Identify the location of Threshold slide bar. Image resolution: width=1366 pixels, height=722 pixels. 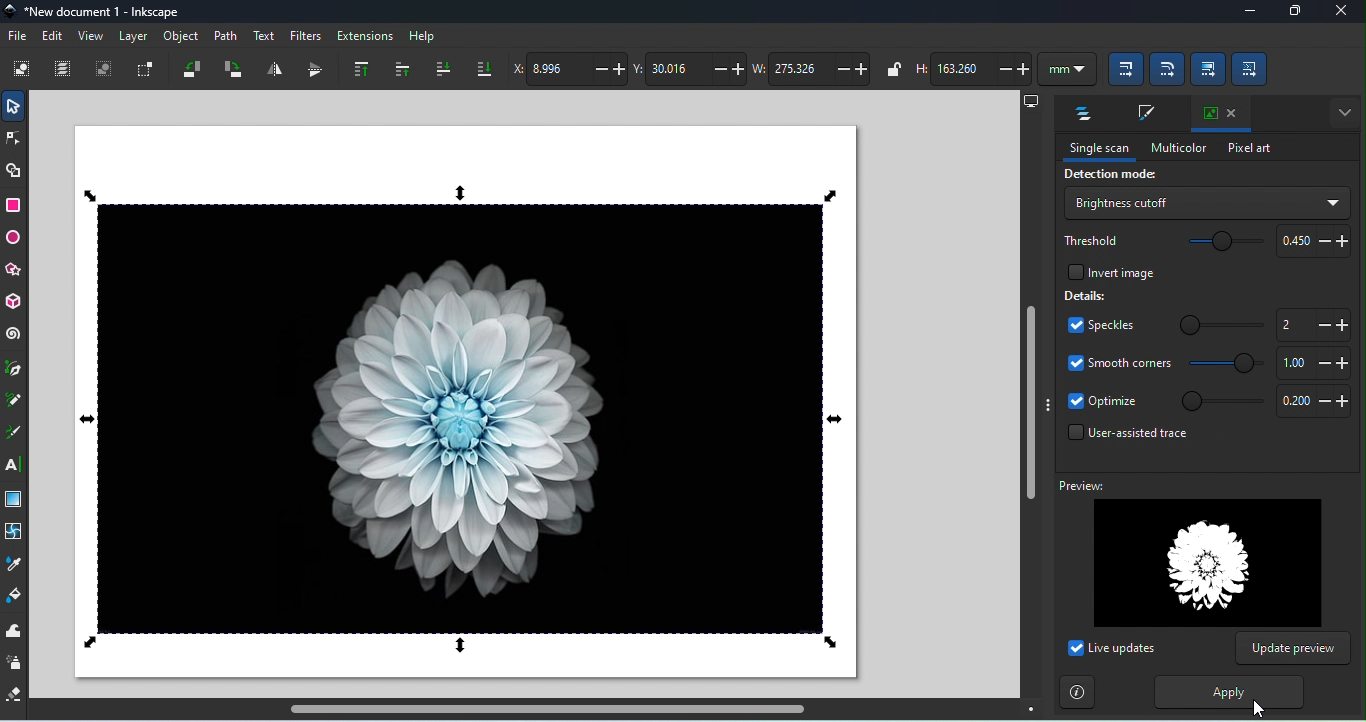
(1219, 242).